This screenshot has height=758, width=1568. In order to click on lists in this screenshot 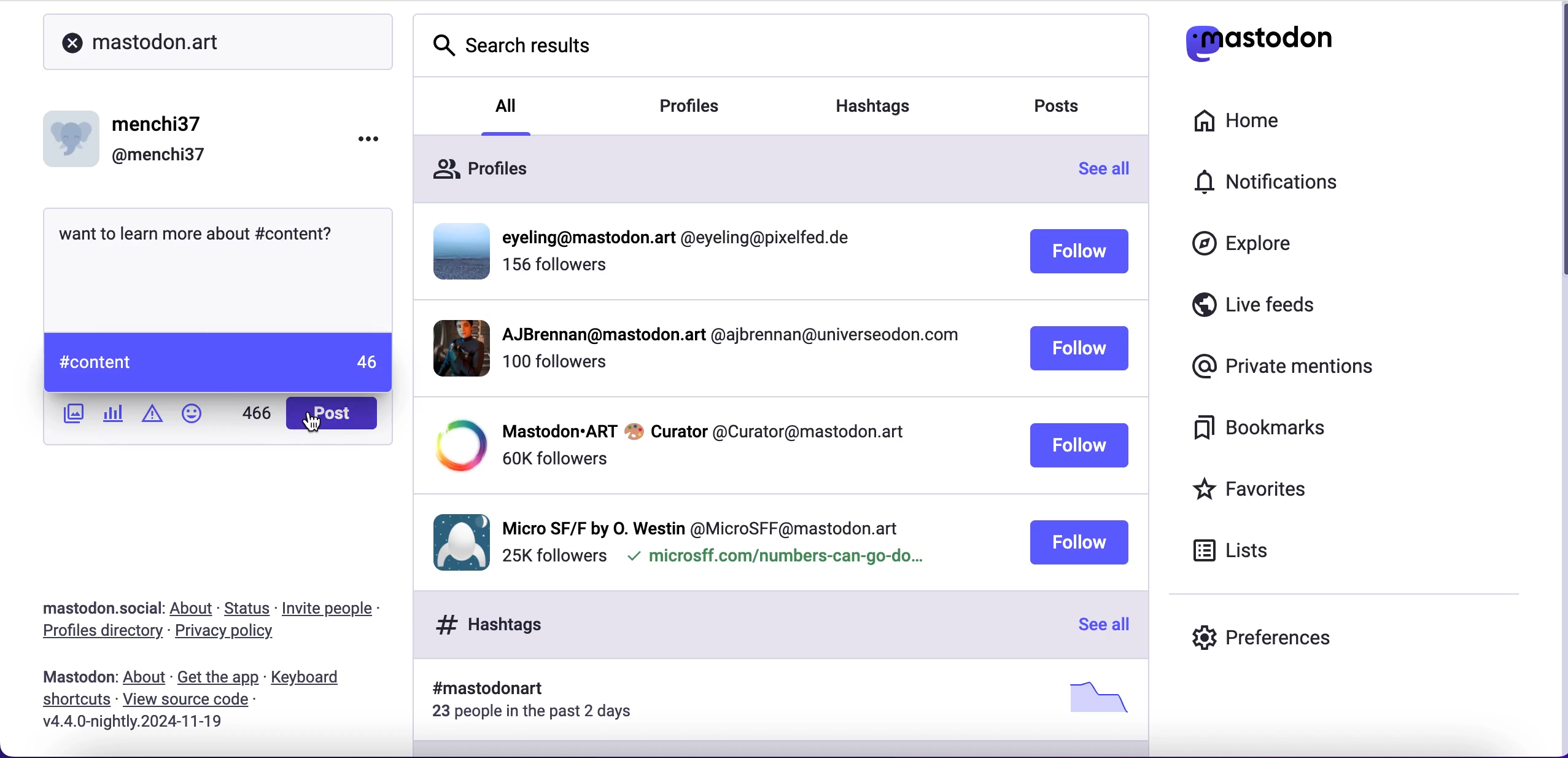, I will do `click(1241, 554)`.